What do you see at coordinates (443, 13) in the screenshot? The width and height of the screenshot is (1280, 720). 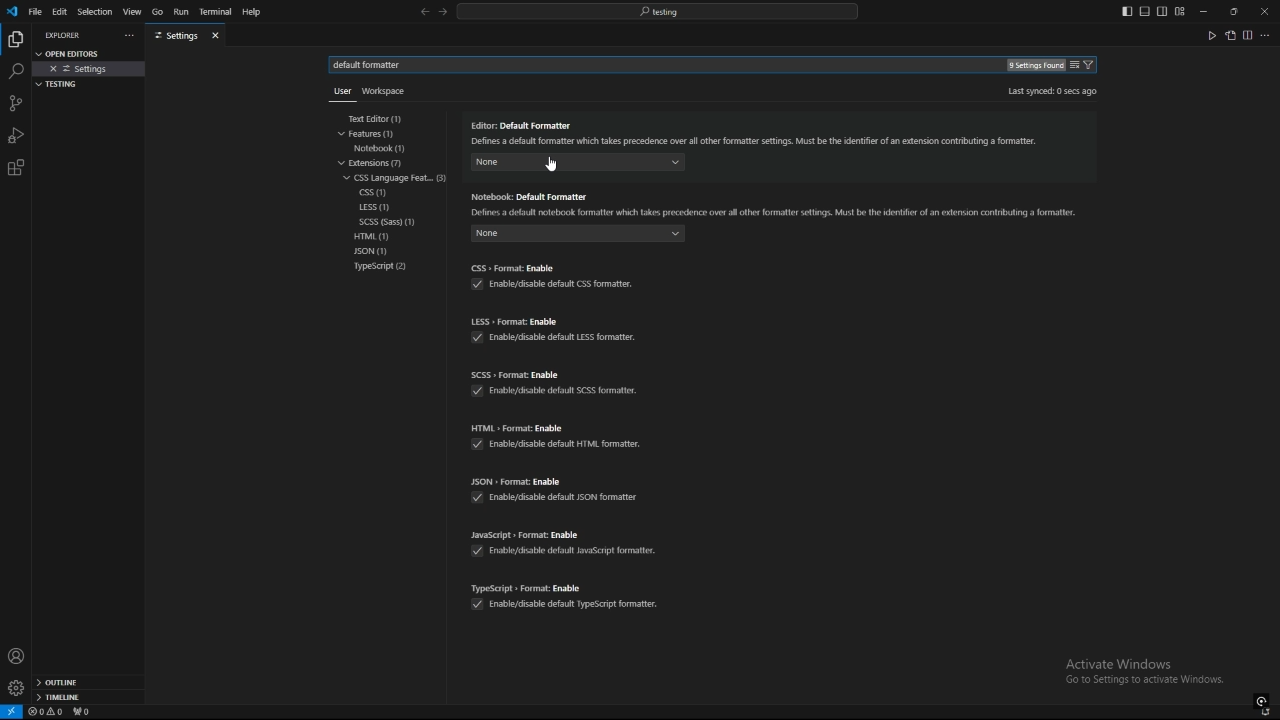 I see `forward` at bounding box center [443, 13].